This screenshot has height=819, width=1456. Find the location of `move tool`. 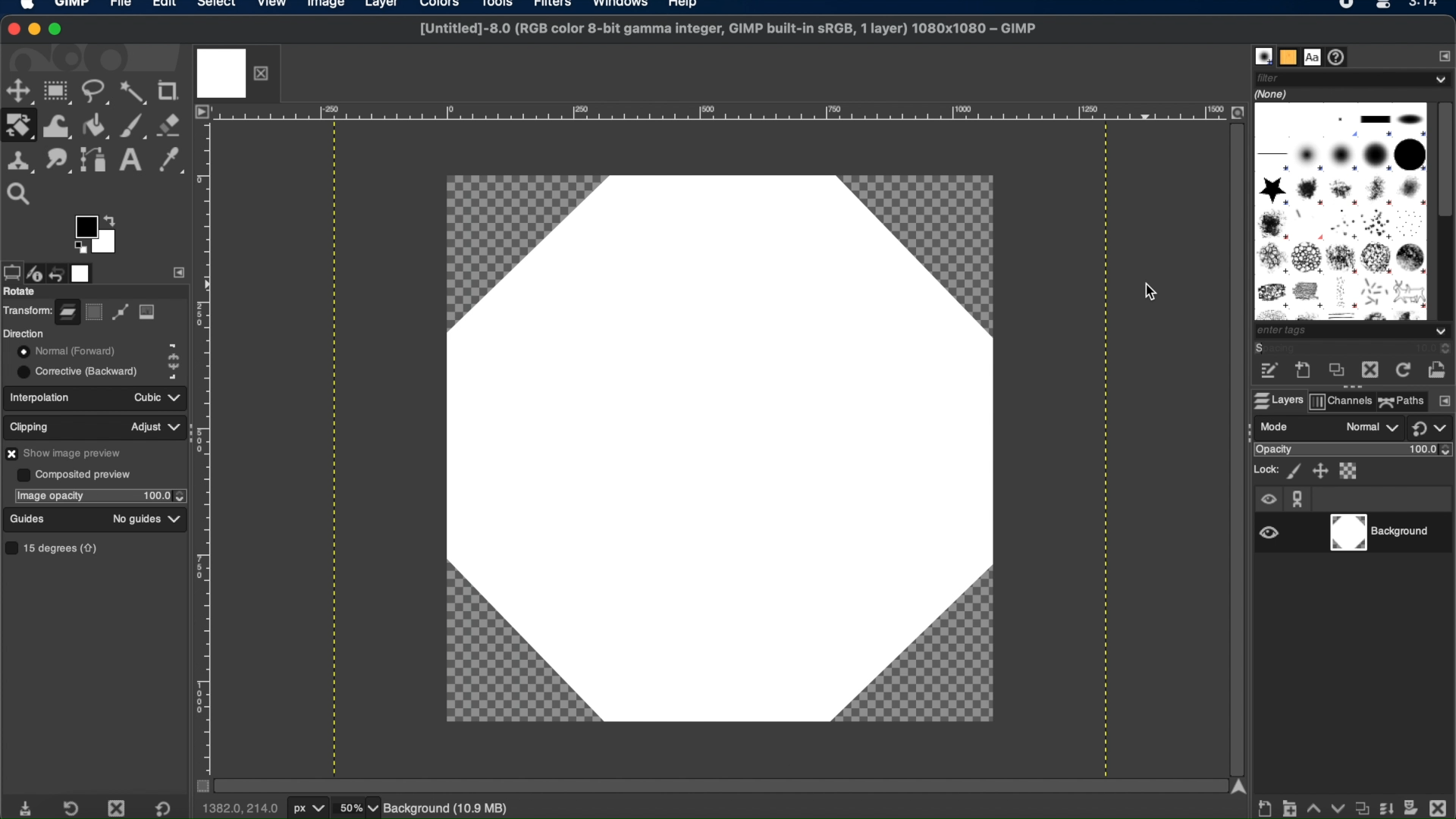

move tool is located at coordinates (19, 91).